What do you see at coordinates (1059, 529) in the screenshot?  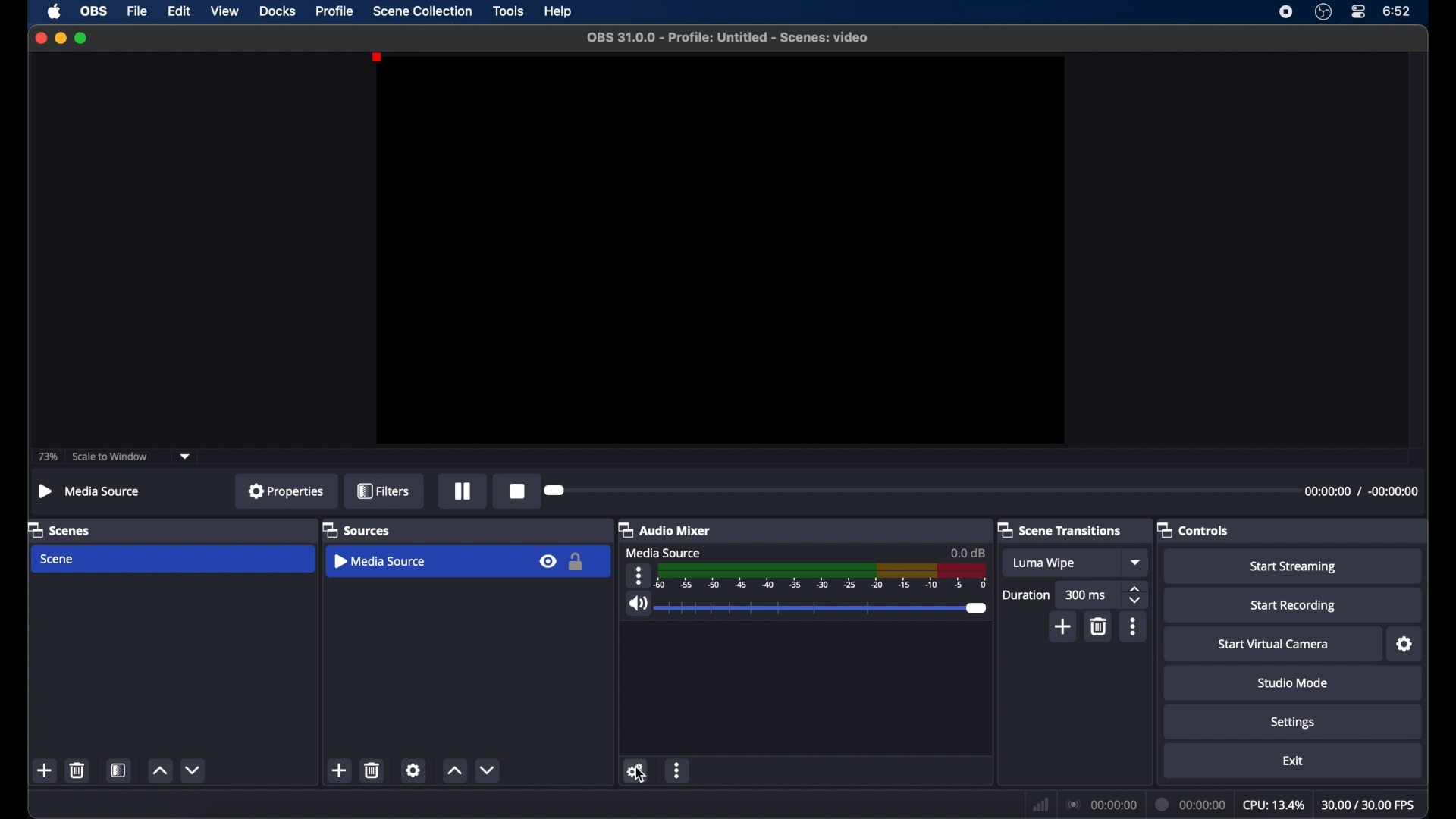 I see `scene transitions` at bounding box center [1059, 529].